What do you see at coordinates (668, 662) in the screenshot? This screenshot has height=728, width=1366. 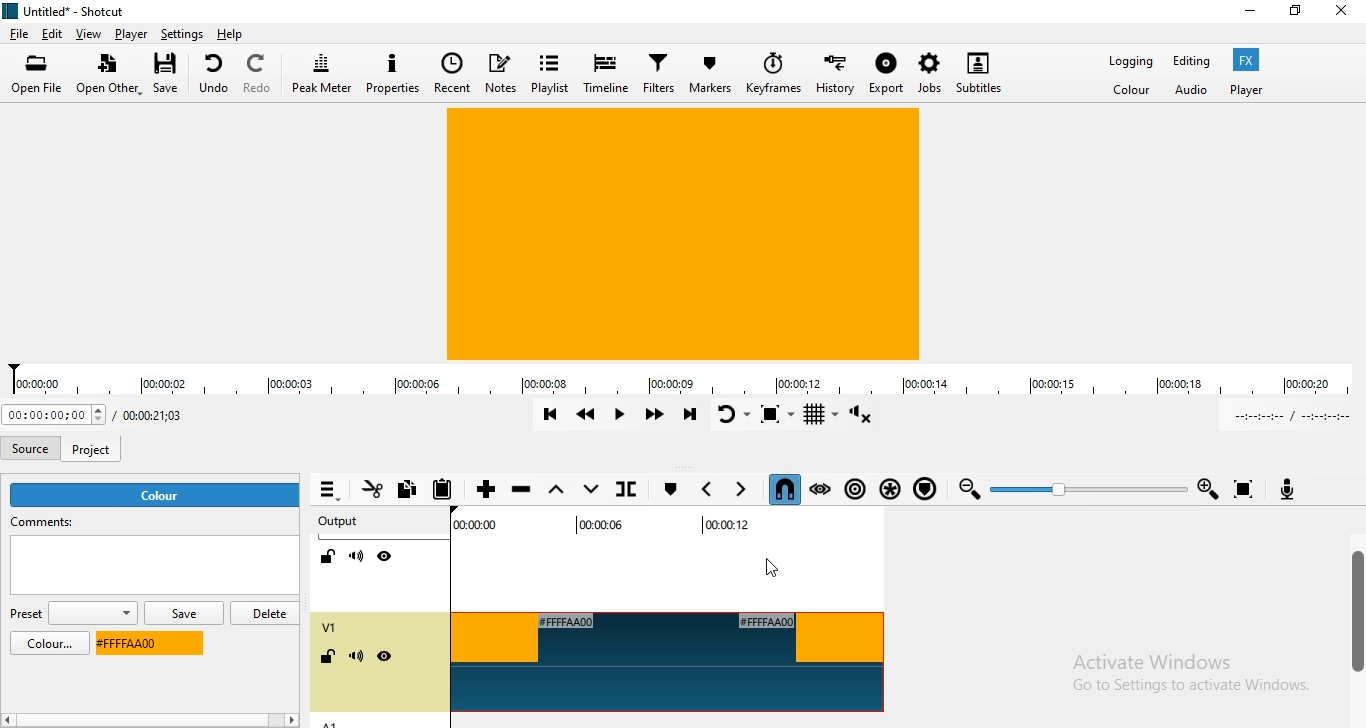 I see `video` at bounding box center [668, 662].